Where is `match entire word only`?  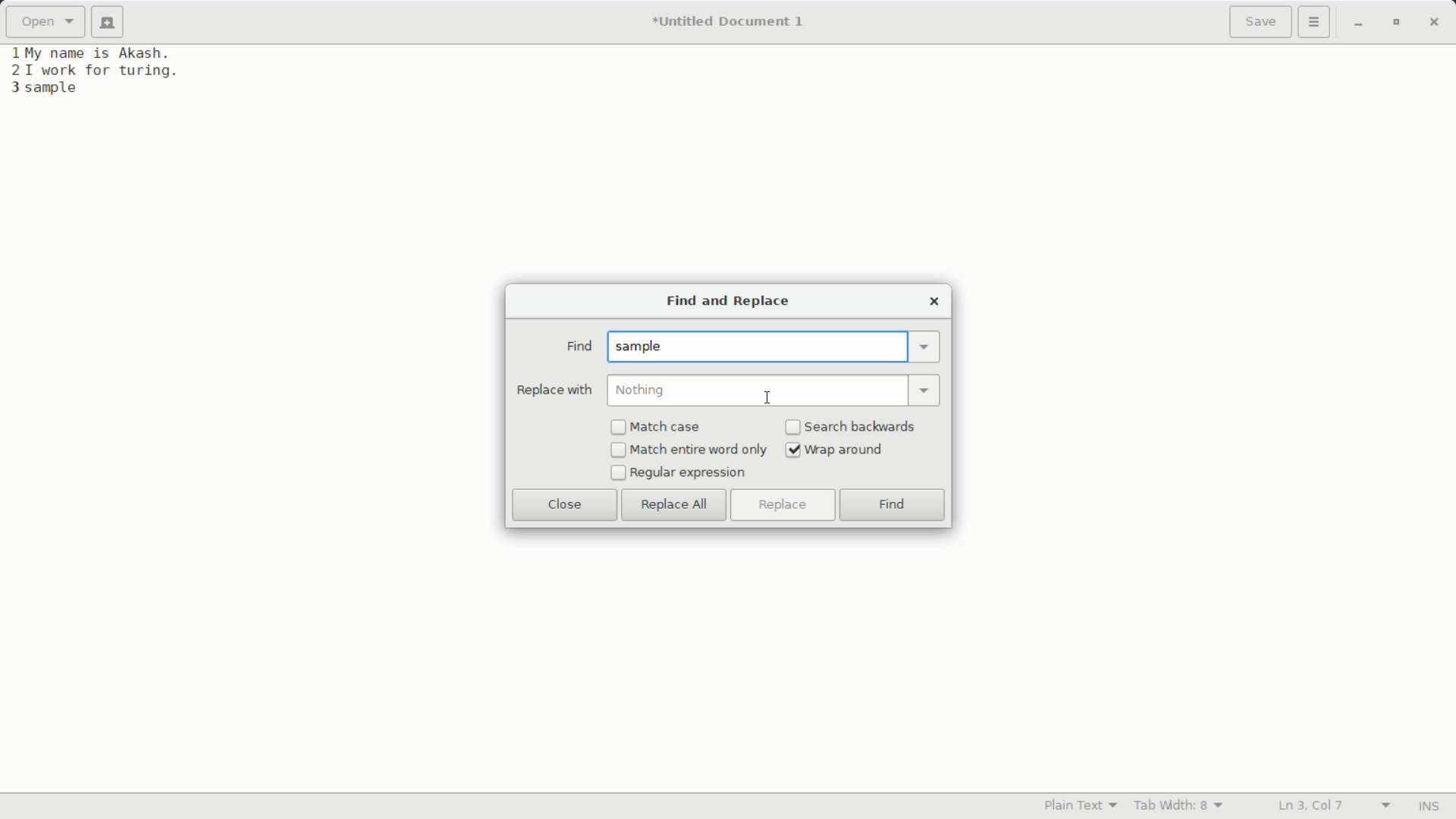 match entire word only is located at coordinates (699, 450).